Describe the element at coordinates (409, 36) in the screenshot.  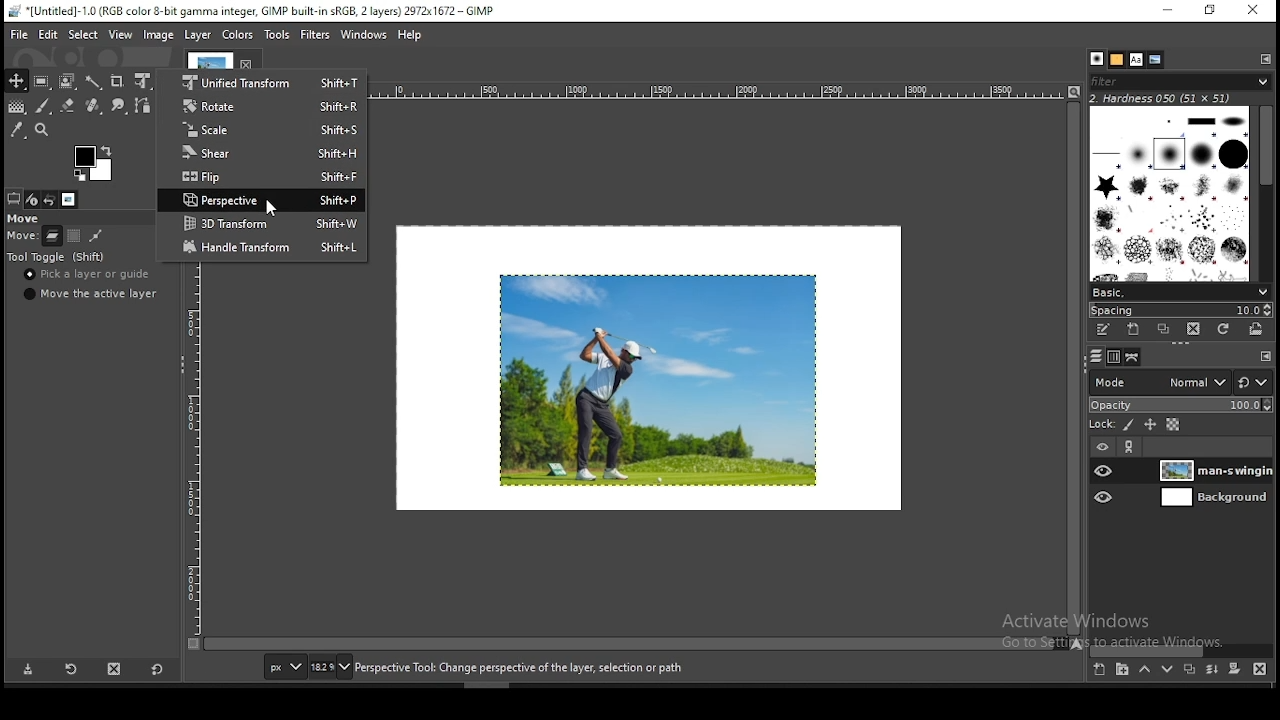
I see `help` at that location.